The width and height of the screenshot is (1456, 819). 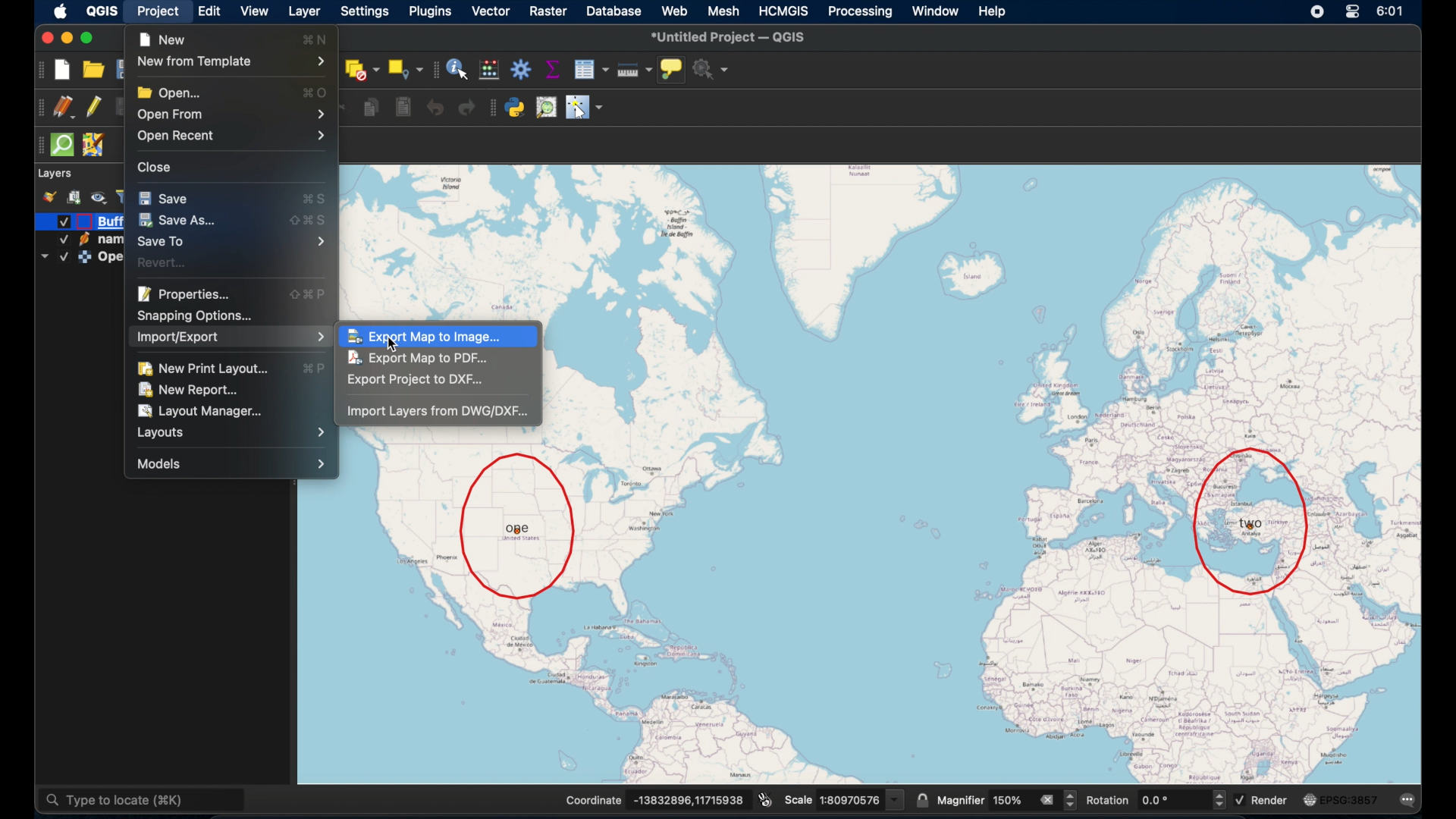 I want to click on python console, so click(x=515, y=108).